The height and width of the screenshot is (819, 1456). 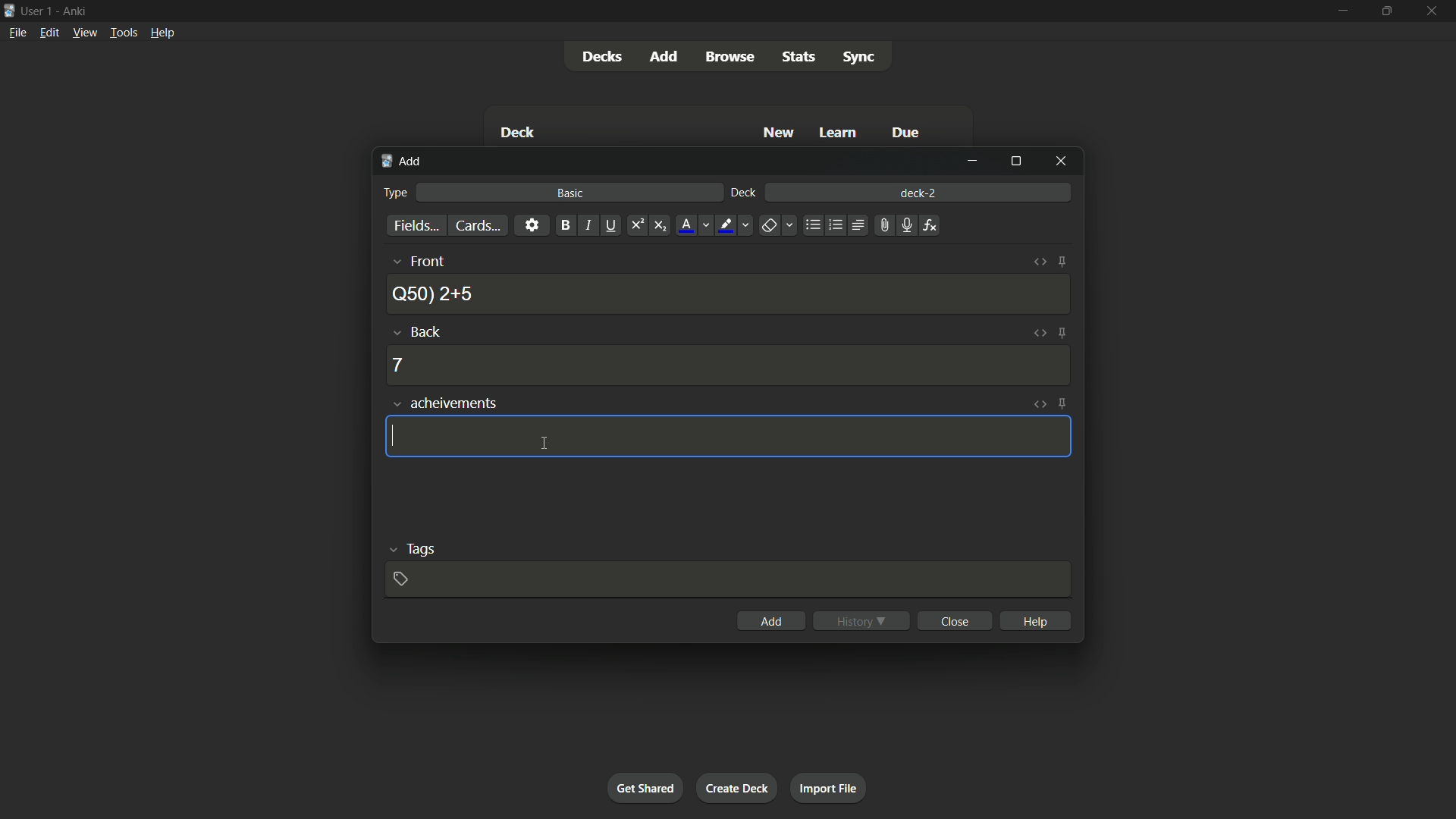 What do you see at coordinates (49, 33) in the screenshot?
I see `edit menu` at bounding box center [49, 33].